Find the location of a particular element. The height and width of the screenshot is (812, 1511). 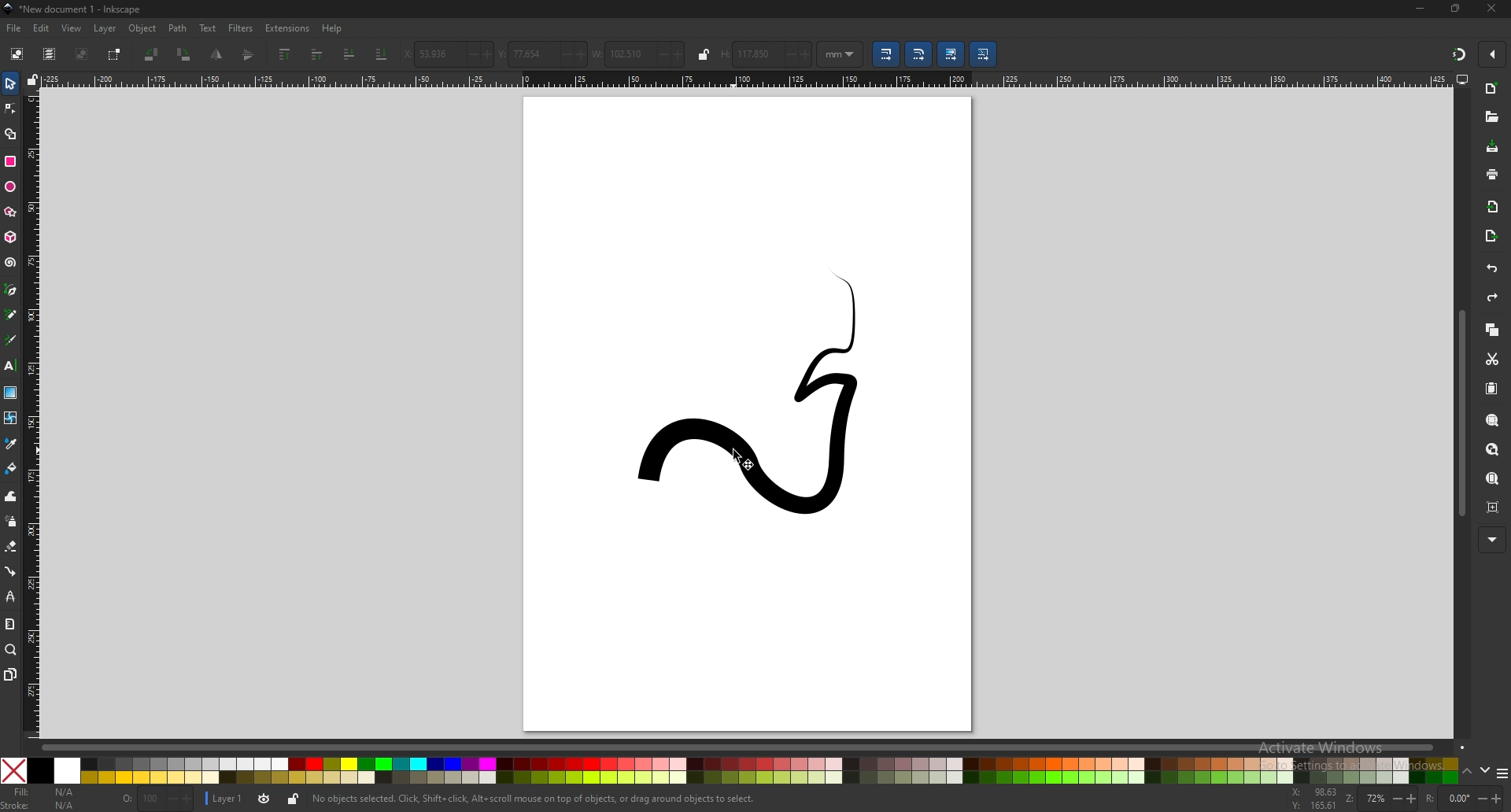

mesh is located at coordinates (10, 416).